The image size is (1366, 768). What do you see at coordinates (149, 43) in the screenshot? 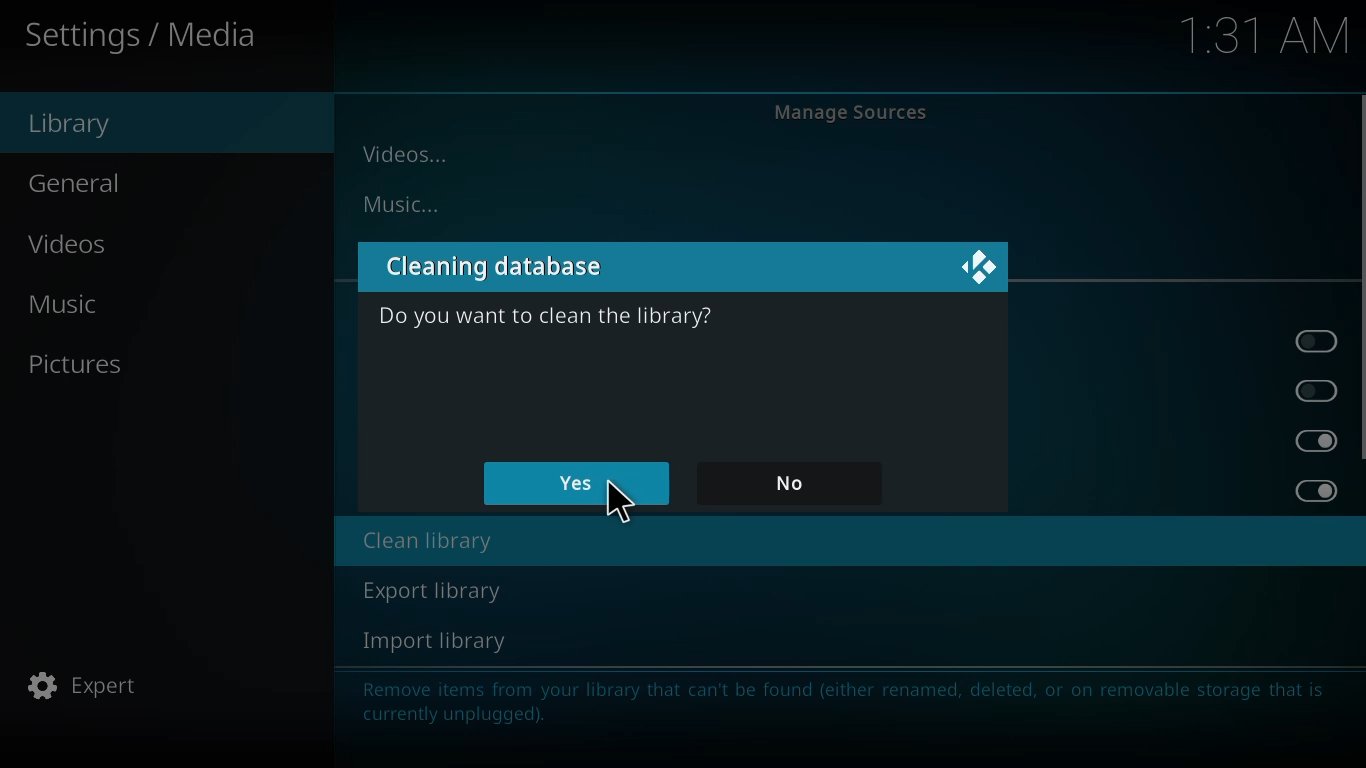
I see `Settings / Media` at bounding box center [149, 43].